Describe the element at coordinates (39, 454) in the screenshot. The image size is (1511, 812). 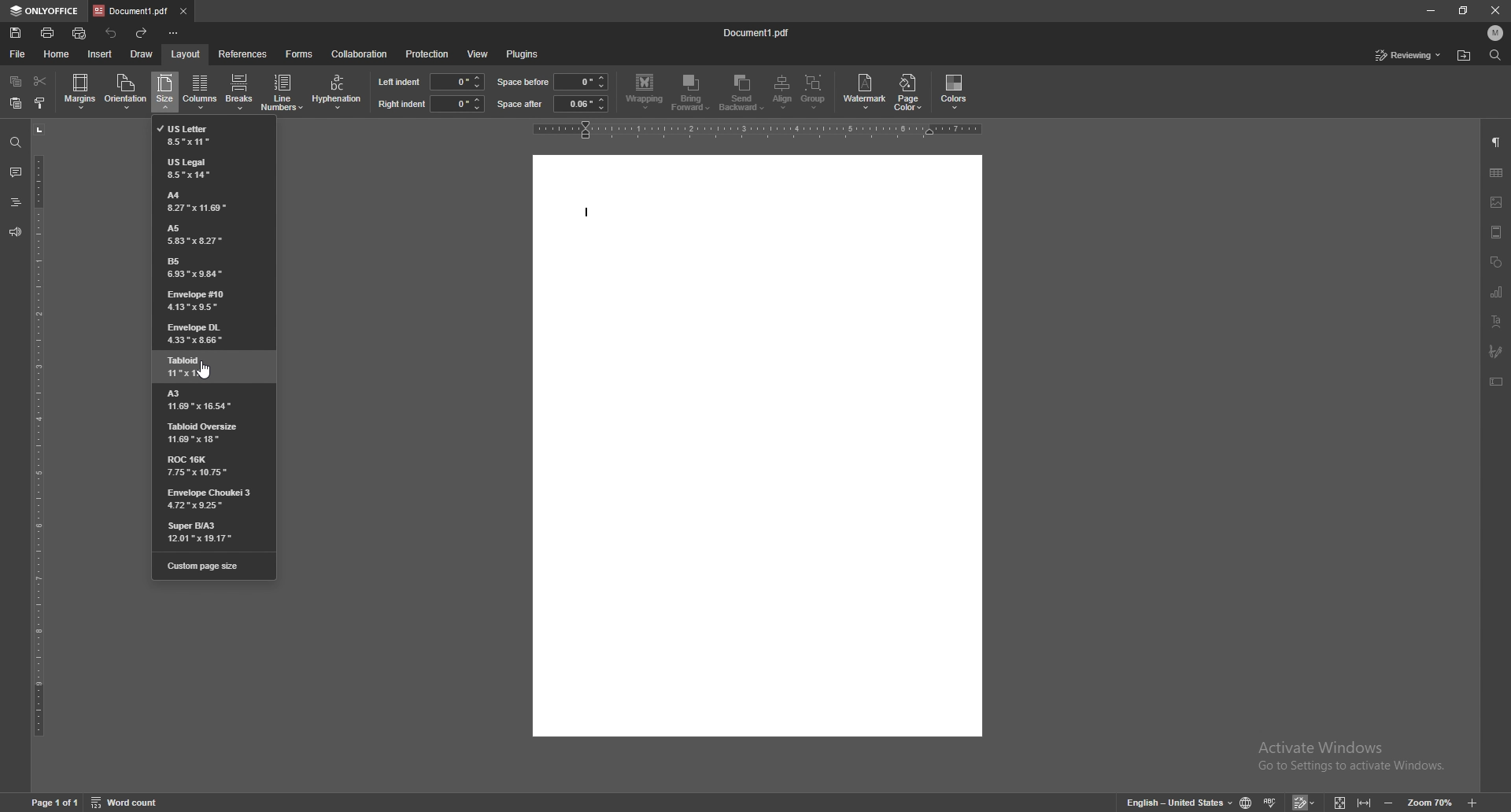
I see `vertical scale` at that location.